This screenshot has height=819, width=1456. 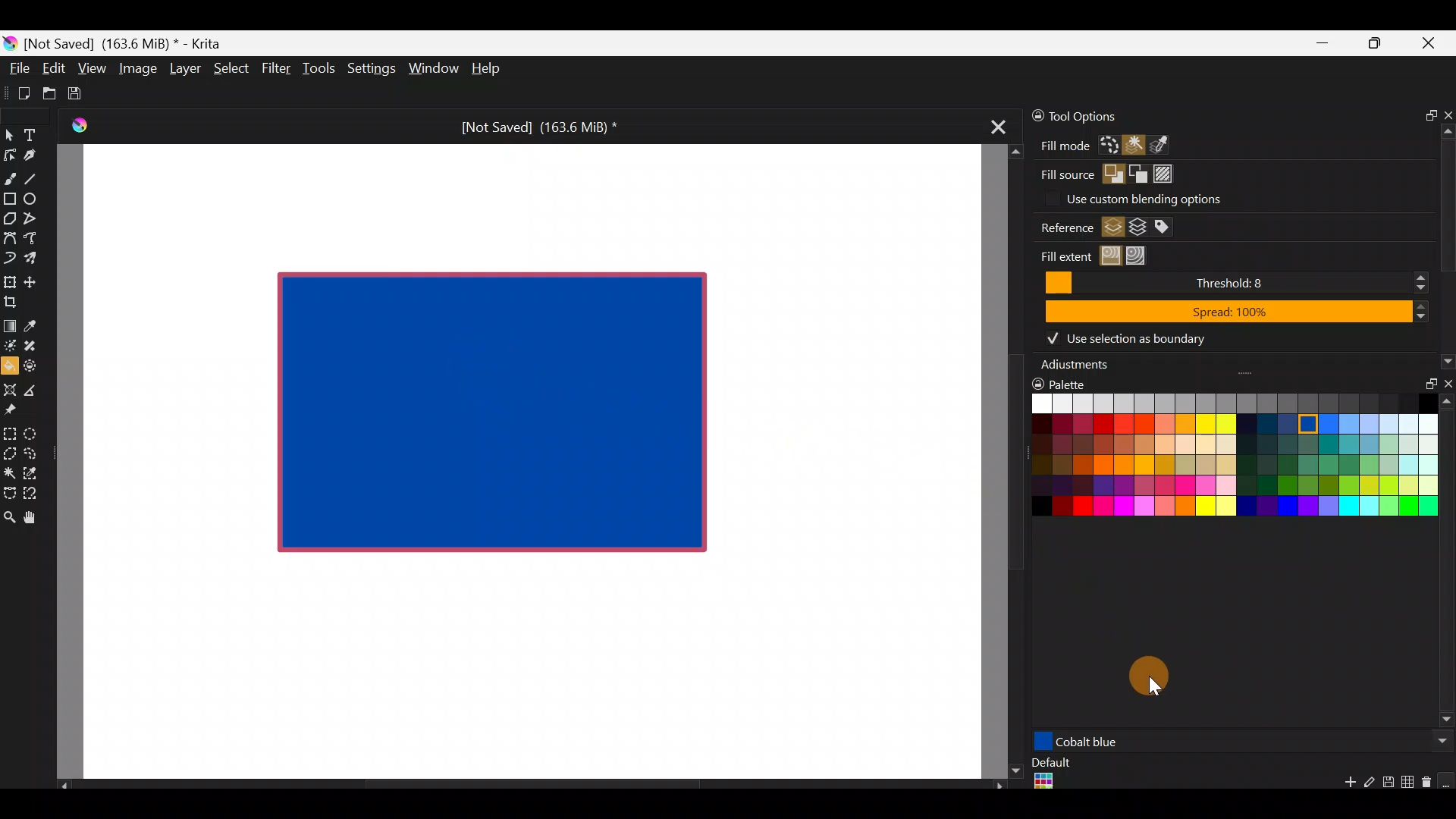 What do you see at coordinates (10, 218) in the screenshot?
I see `Polygon tool` at bounding box center [10, 218].